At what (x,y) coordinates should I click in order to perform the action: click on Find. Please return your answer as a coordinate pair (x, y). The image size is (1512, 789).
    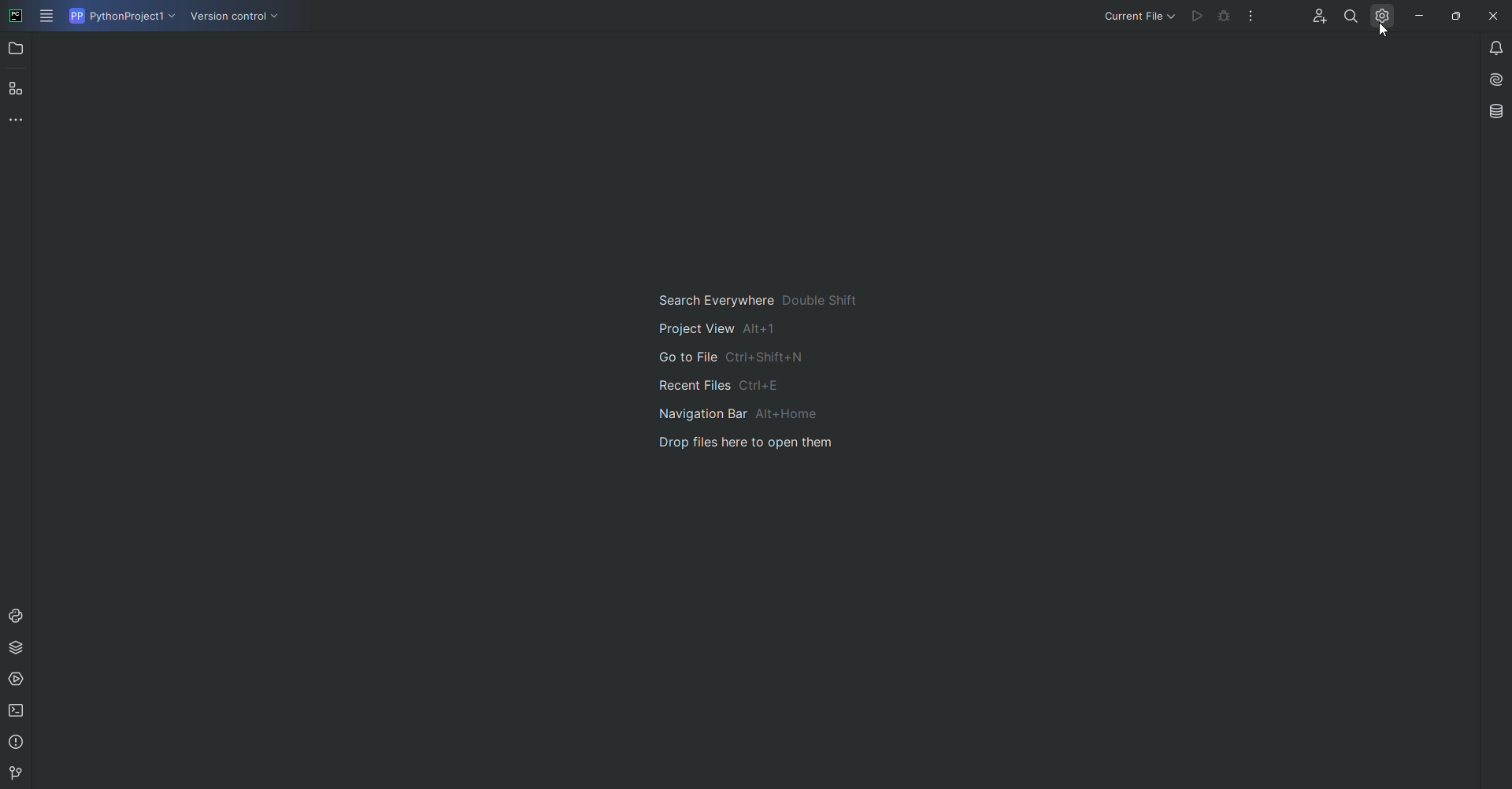
    Looking at the image, I should click on (1351, 16).